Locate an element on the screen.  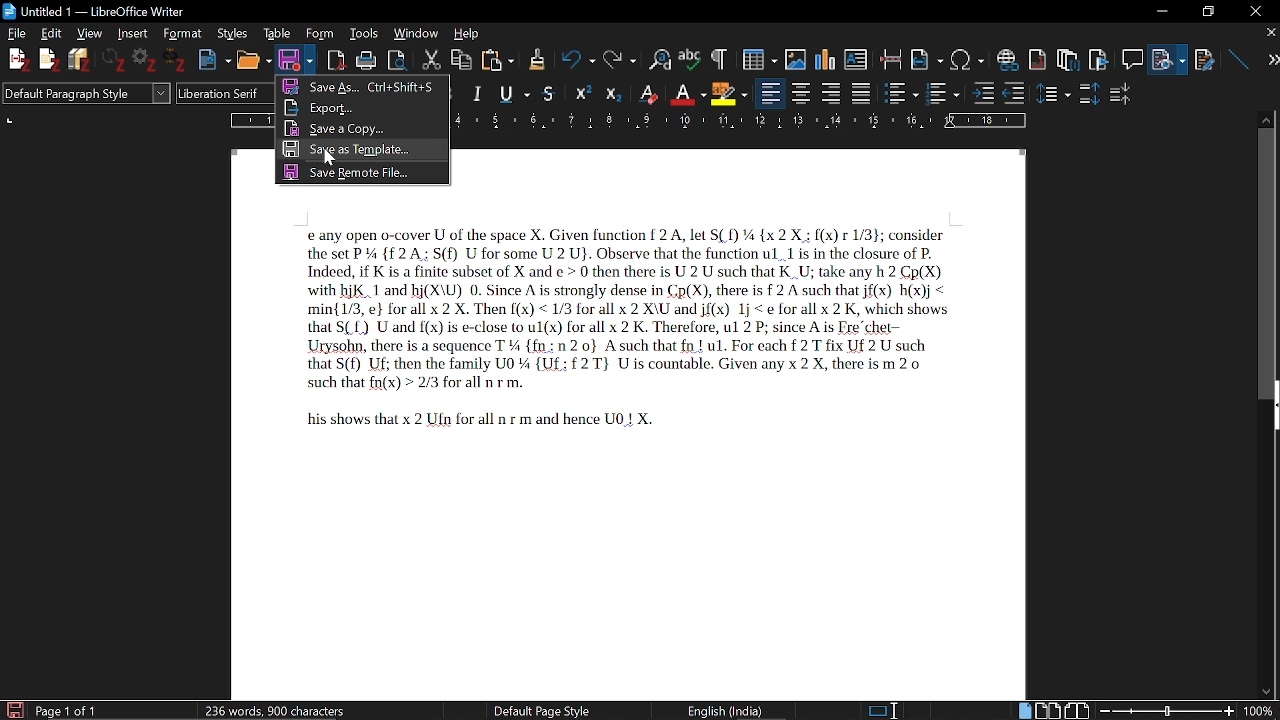
Insert table is located at coordinates (752, 57).